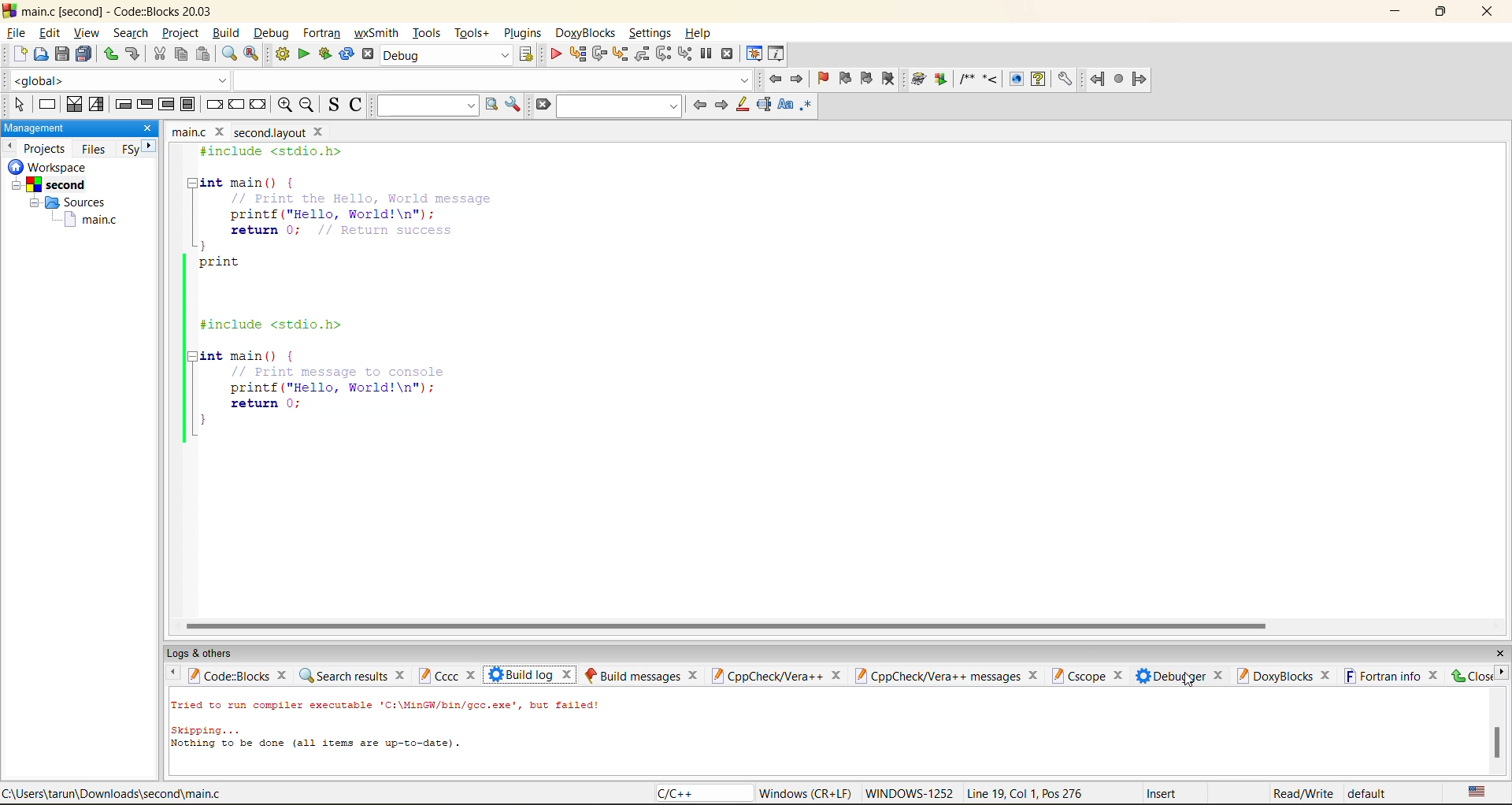  Describe the element at coordinates (146, 103) in the screenshot. I see `exit condition loop` at that location.